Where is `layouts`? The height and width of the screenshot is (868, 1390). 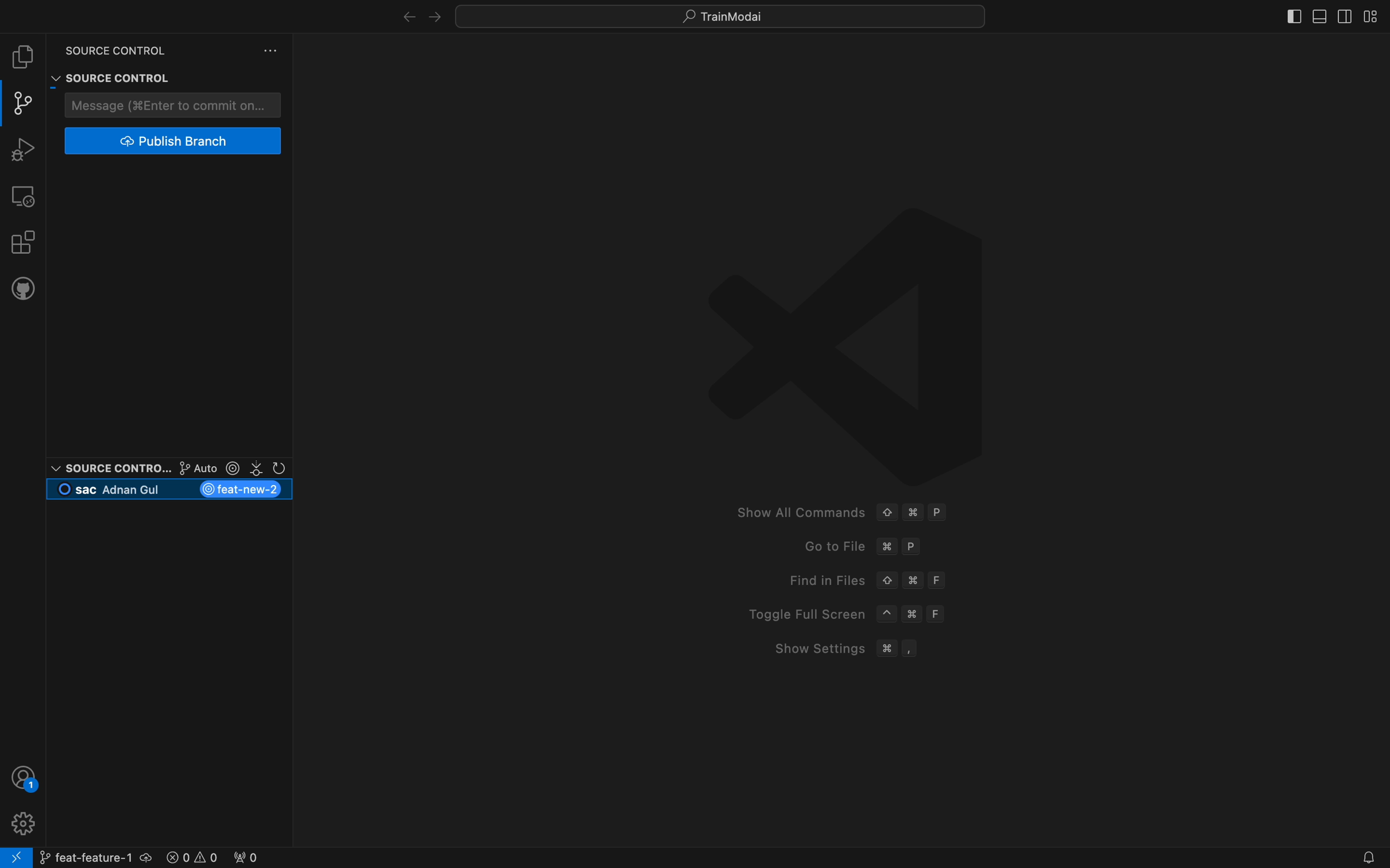 layouts is located at coordinates (1326, 15).